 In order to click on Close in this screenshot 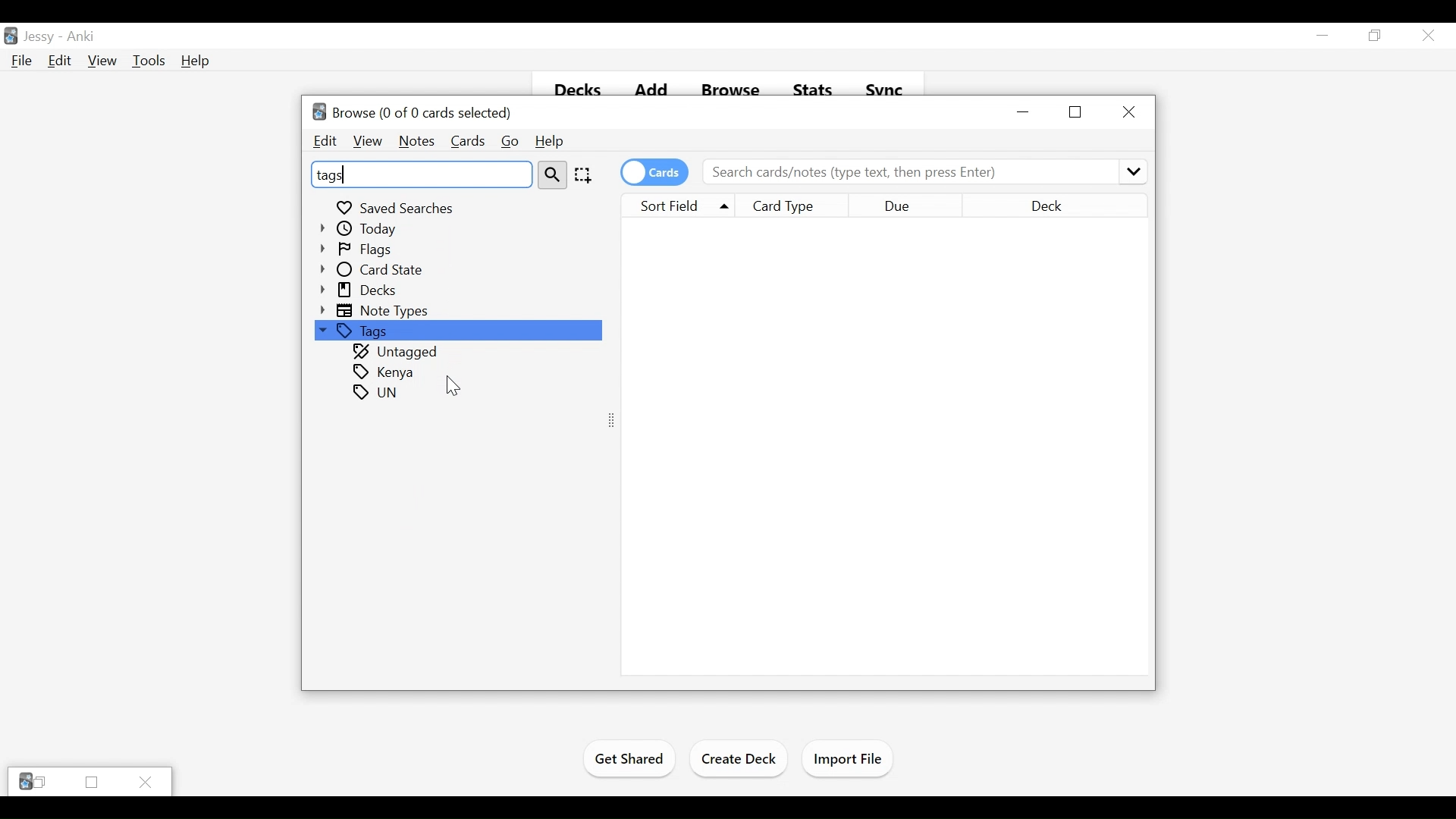, I will do `click(1128, 111)`.